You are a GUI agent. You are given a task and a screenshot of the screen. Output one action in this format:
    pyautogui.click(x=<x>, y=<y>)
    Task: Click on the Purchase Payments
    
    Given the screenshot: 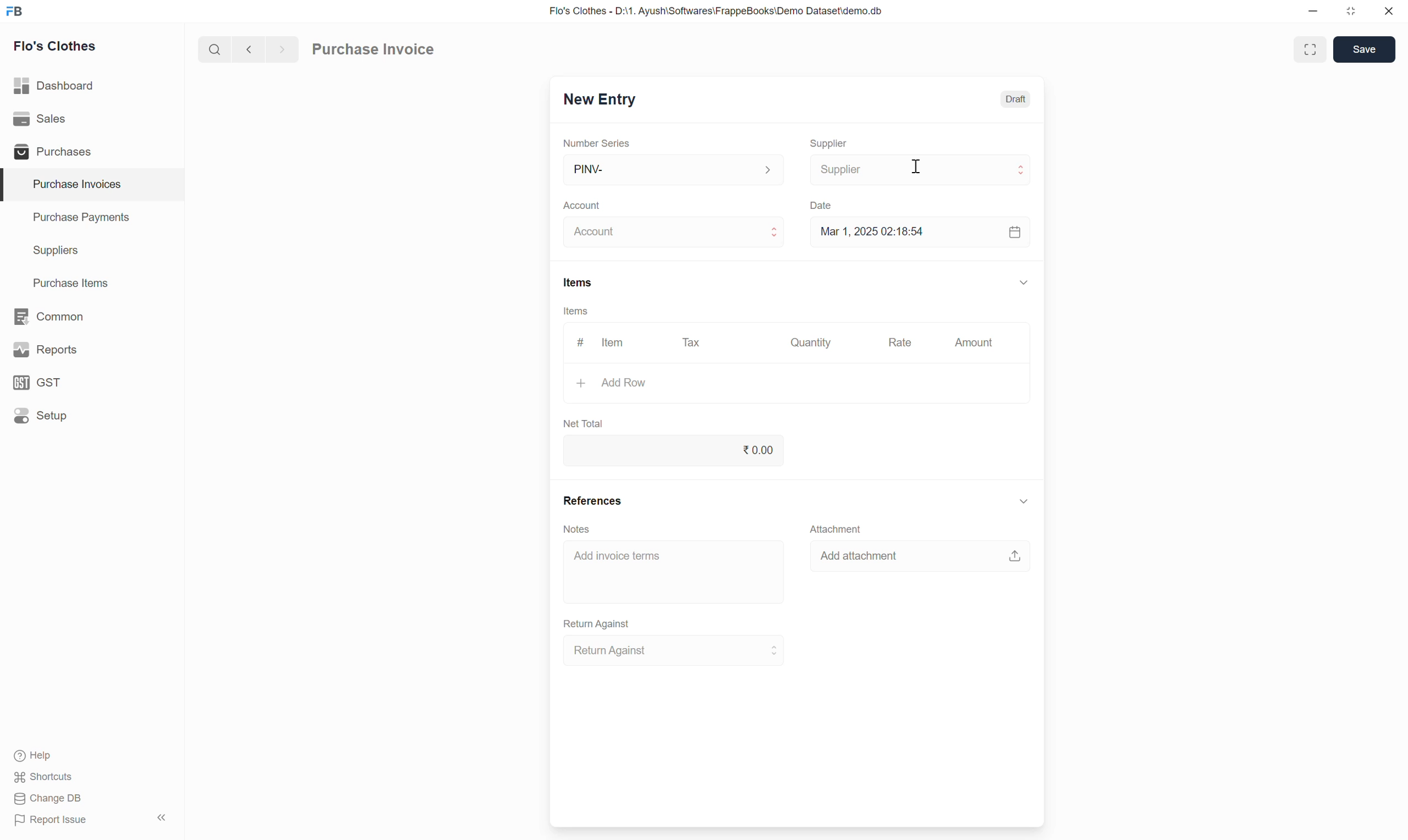 What is the action you would take?
    pyautogui.click(x=92, y=218)
    